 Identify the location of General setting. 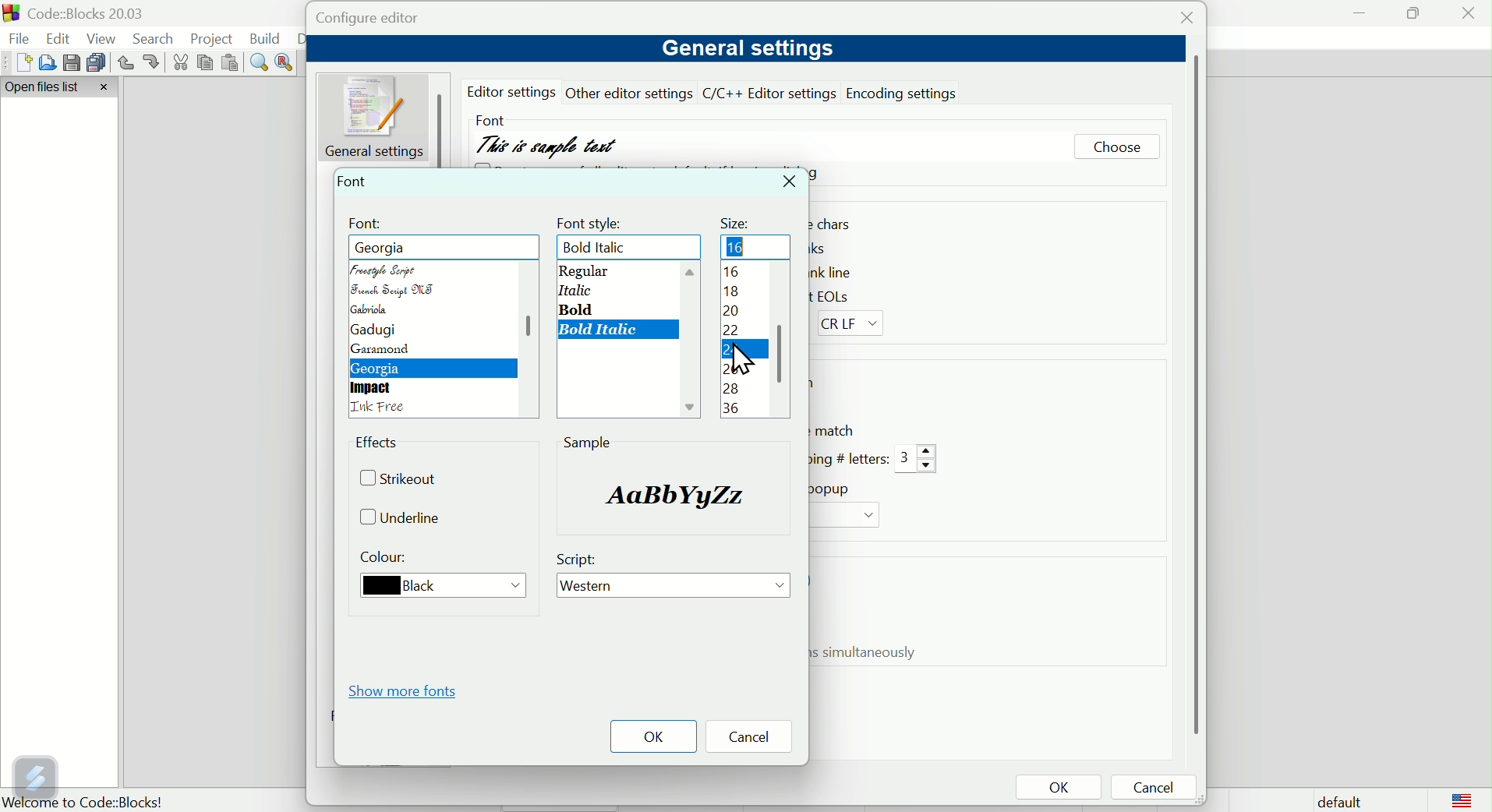
(377, 116).